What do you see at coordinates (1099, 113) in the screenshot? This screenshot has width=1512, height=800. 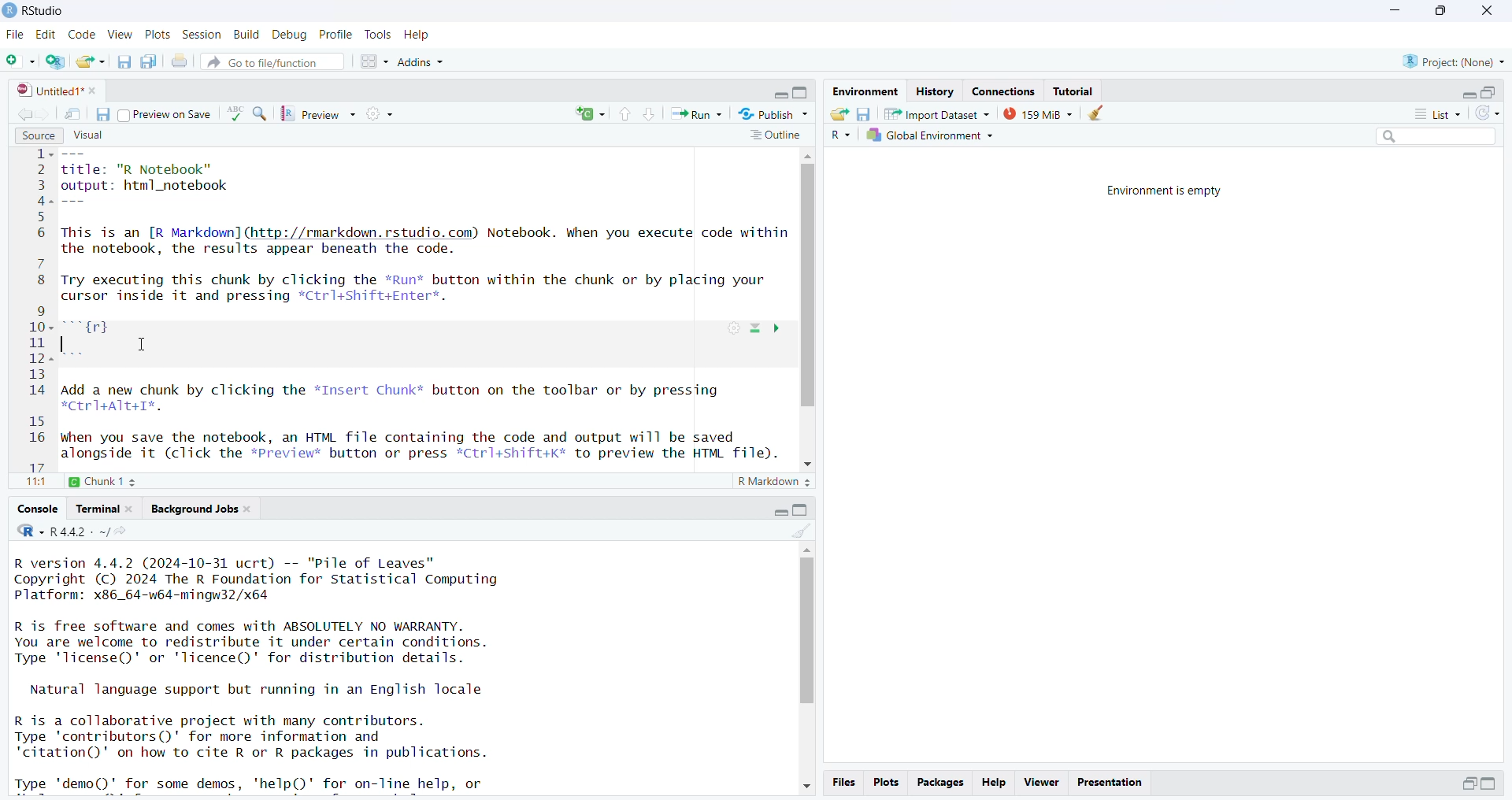 I see `clear object from the workspace` at bounding box center [1099, 113].